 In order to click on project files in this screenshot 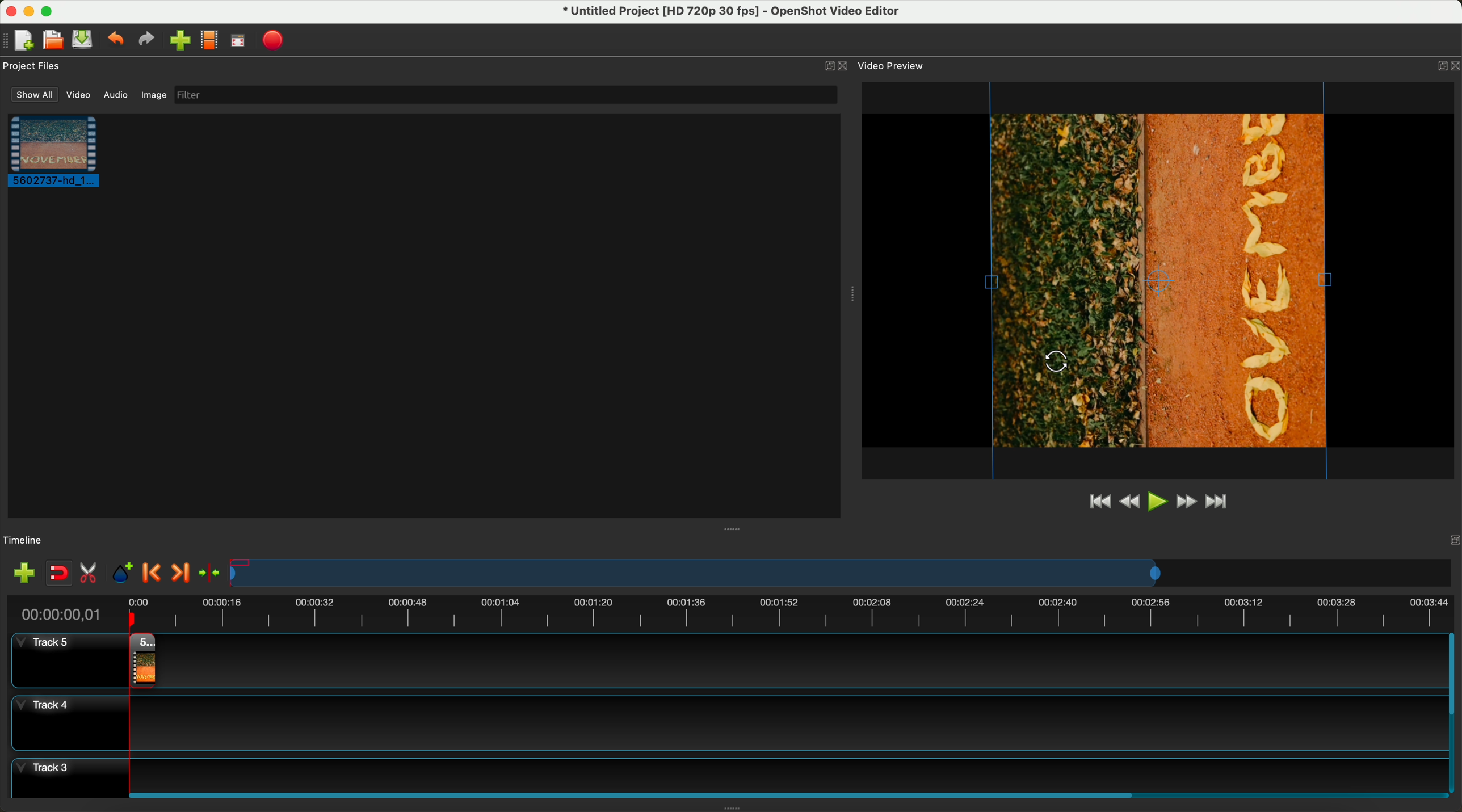, I will do `click(33, 65)`.